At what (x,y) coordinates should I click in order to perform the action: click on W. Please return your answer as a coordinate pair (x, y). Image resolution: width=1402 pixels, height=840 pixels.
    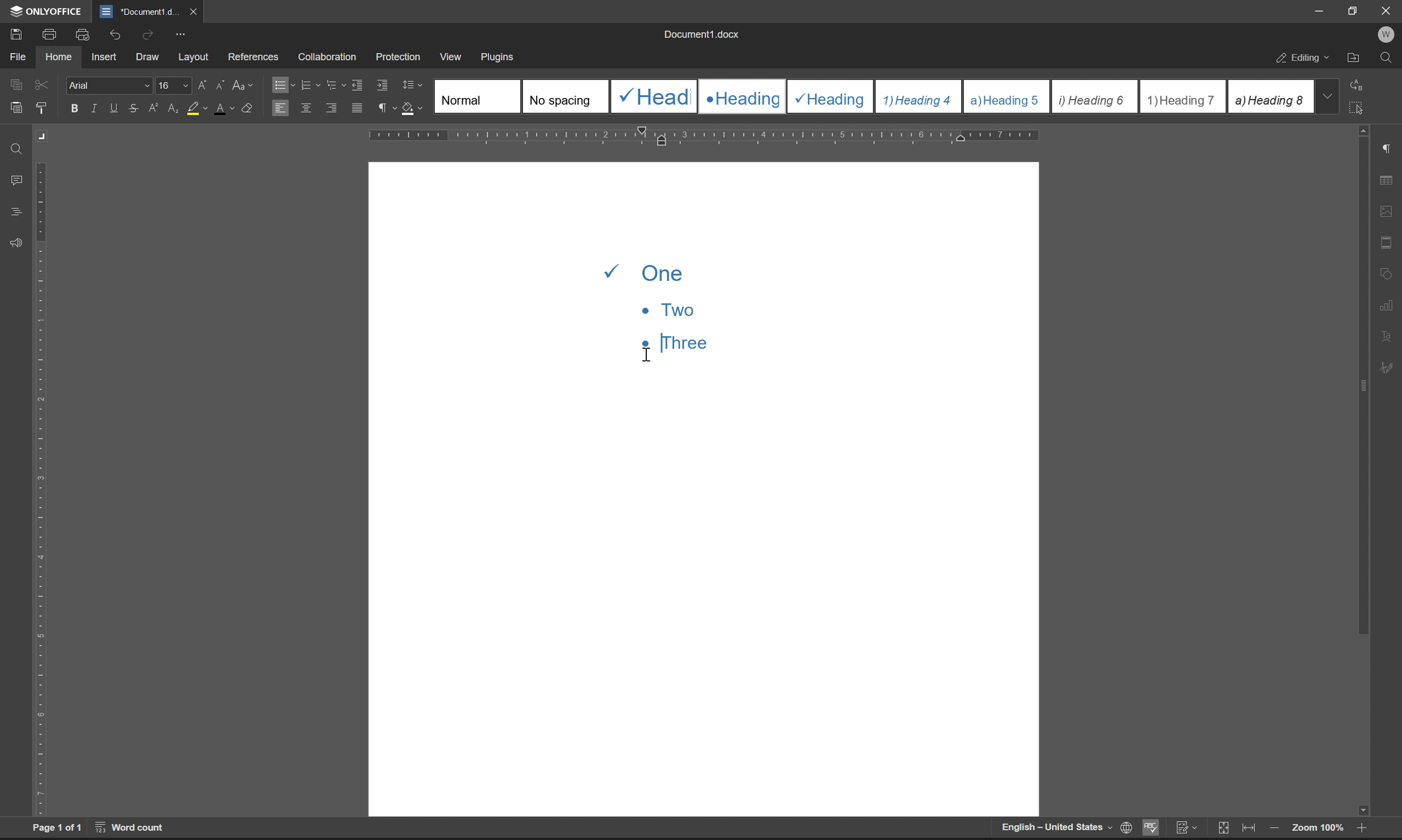
    Looking at the image, I should click on (1388, 35).